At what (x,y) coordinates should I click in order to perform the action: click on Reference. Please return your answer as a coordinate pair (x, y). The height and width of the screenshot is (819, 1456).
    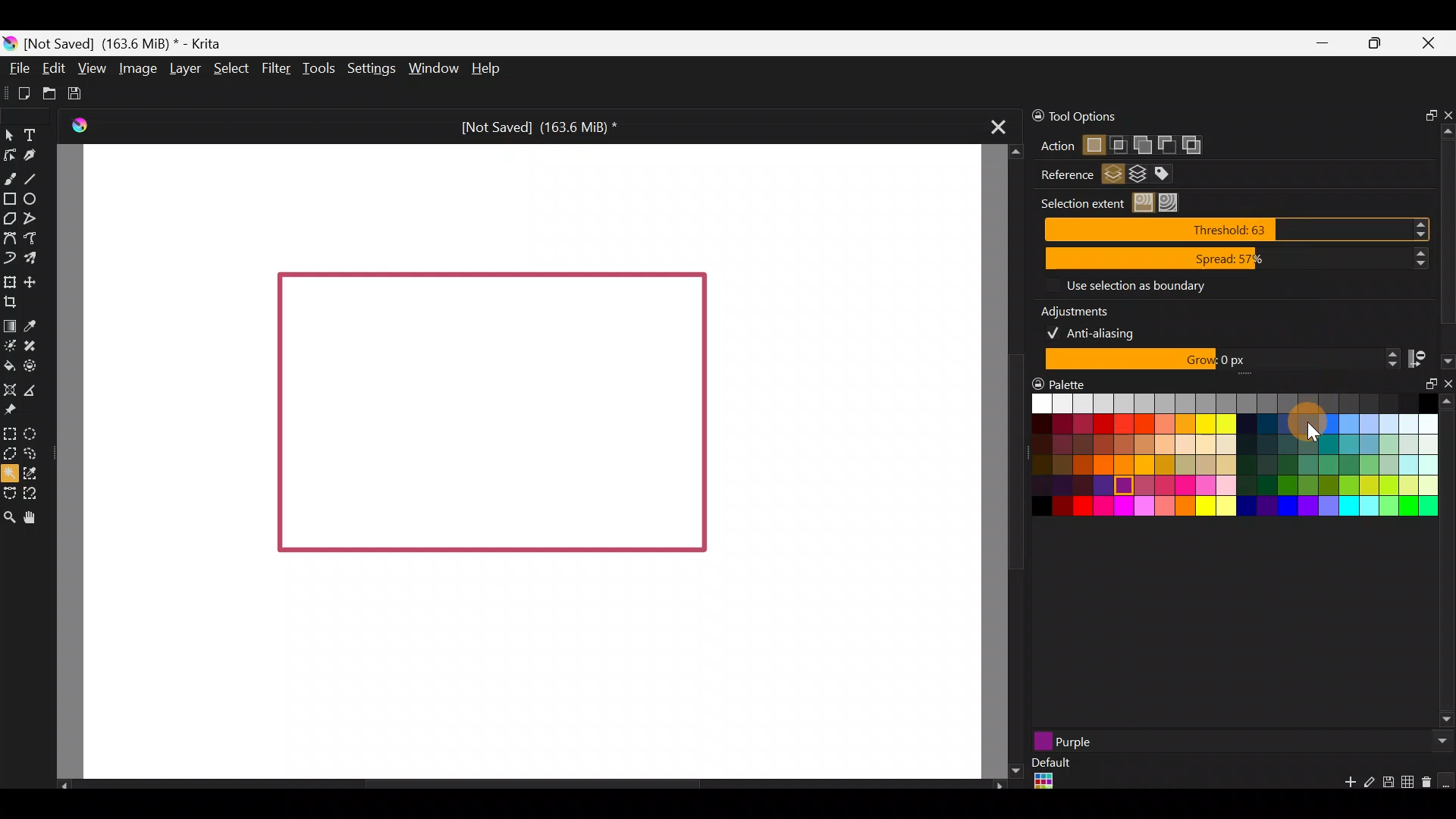
    Looking at the image, I should click on (1061, 175).